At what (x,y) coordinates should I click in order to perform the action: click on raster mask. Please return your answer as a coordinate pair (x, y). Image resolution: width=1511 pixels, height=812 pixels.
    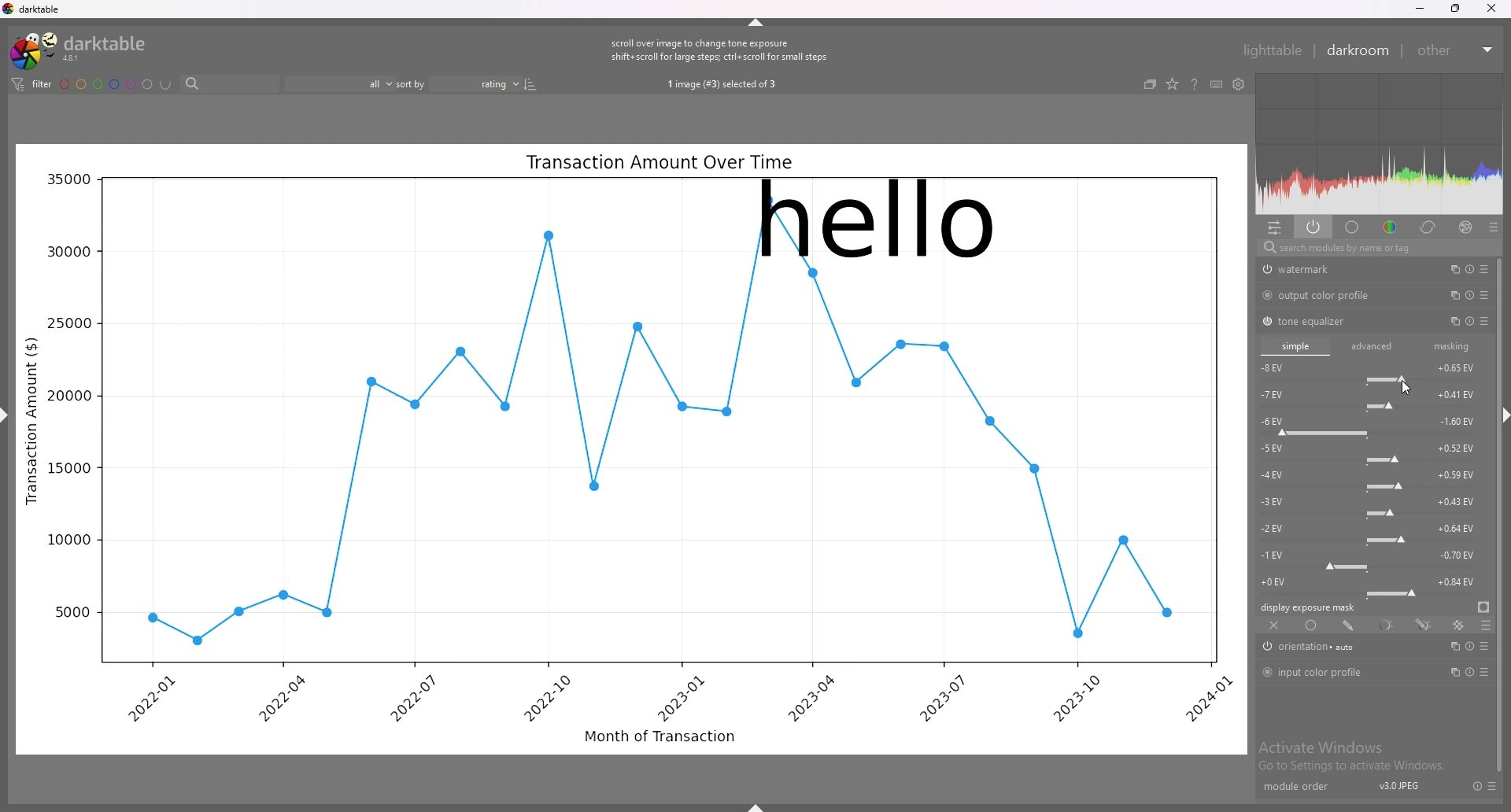
    Looking at the image, I should click on (1456, 625).